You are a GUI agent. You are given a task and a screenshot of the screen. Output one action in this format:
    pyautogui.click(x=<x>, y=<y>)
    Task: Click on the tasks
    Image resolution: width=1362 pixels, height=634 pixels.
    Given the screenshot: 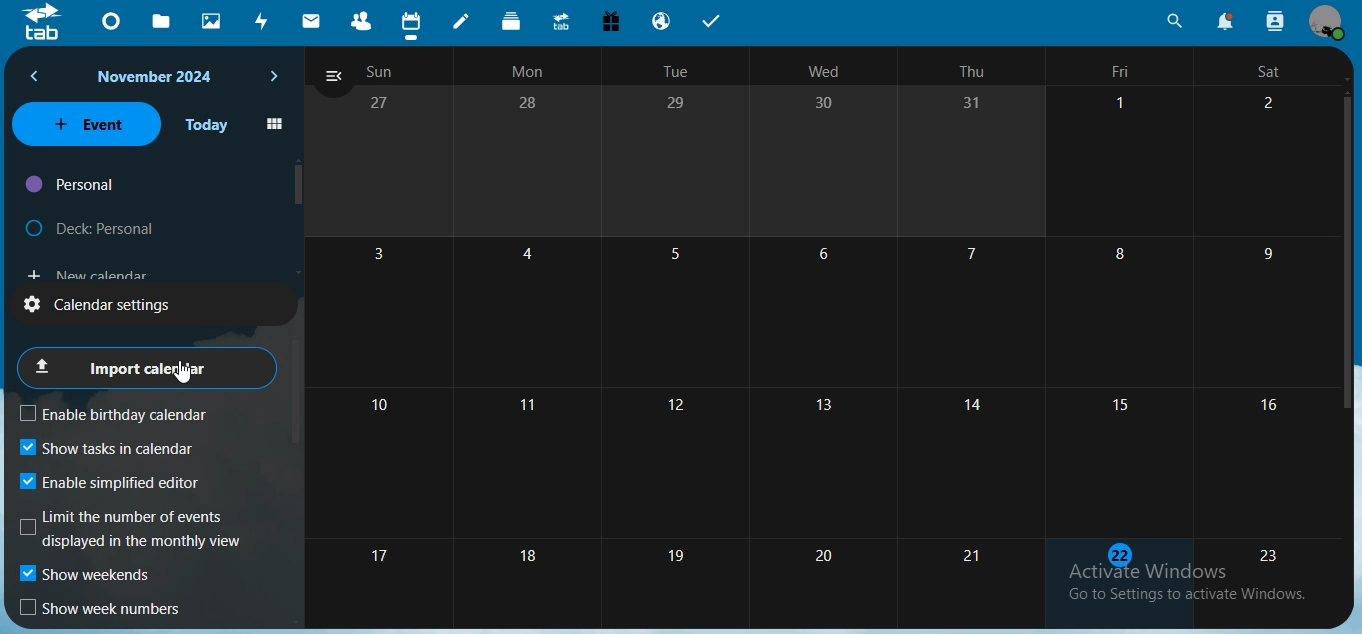 What is the action you would take?
    pyautogui.click(x=715, y=22)
    